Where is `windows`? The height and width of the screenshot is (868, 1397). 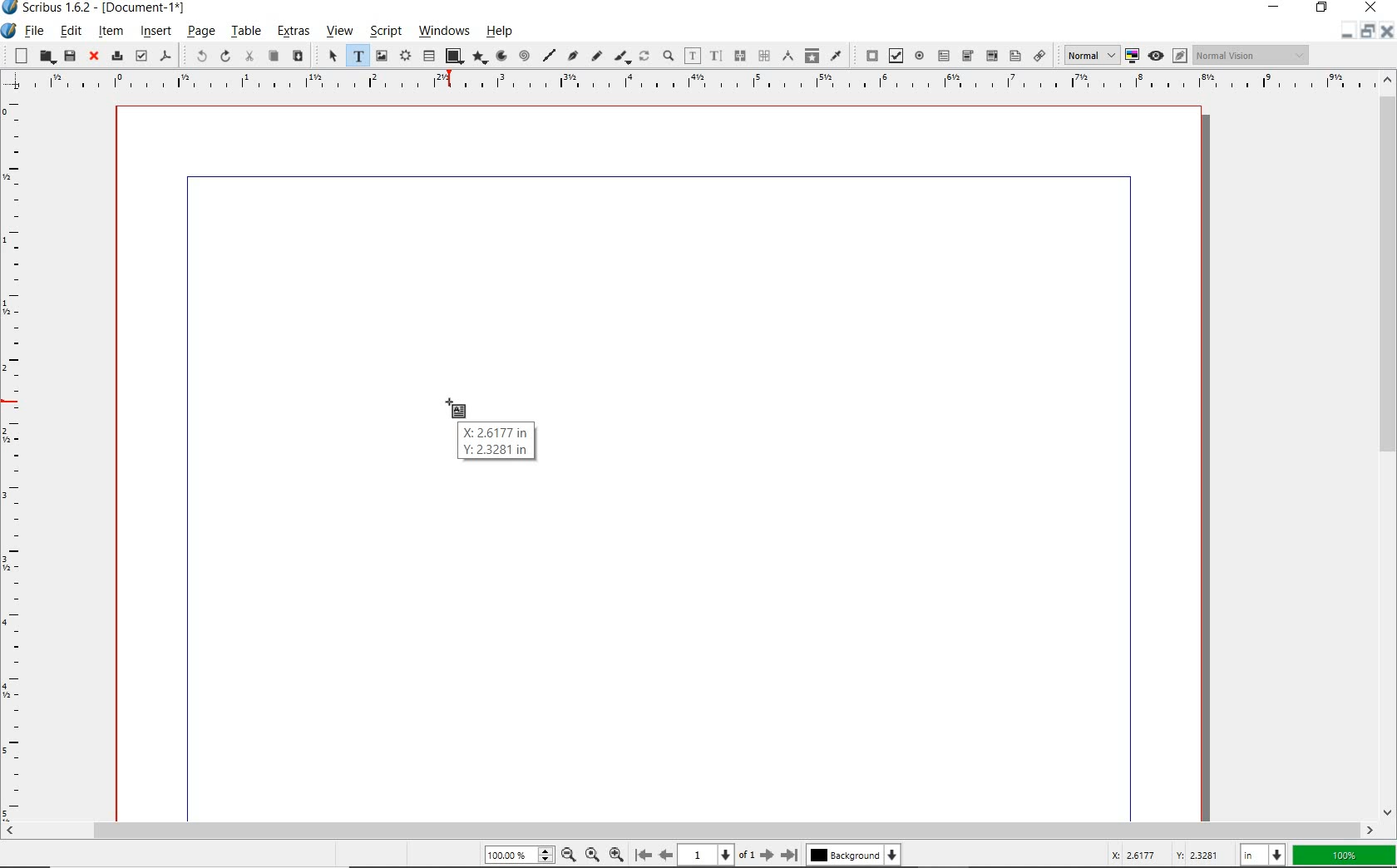 windows is located at coordinates (446, 32).